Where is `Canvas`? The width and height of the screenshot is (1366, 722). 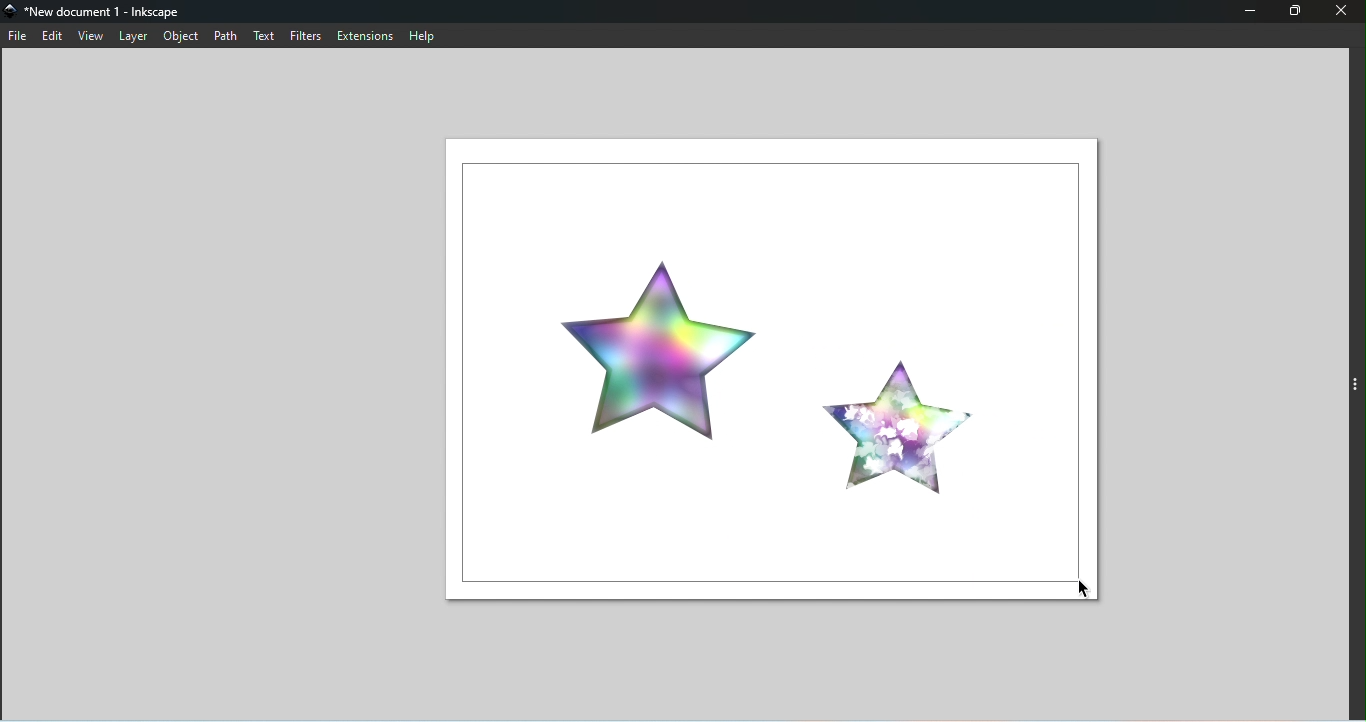
Canvas is located at coordinates (772, 370).